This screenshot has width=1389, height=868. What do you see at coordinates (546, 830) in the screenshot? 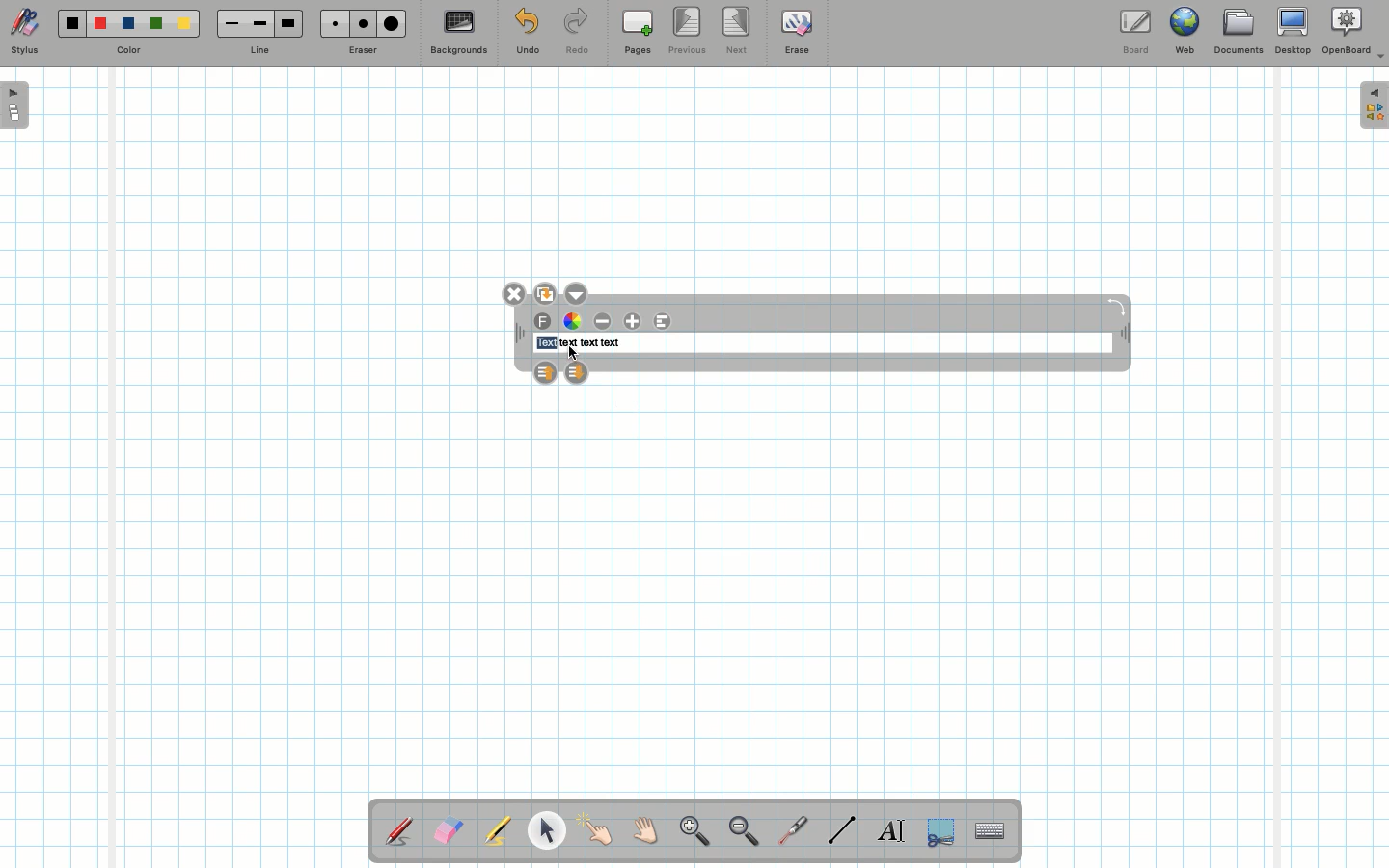
I see `Pointer` at bounding box center [546, 830].